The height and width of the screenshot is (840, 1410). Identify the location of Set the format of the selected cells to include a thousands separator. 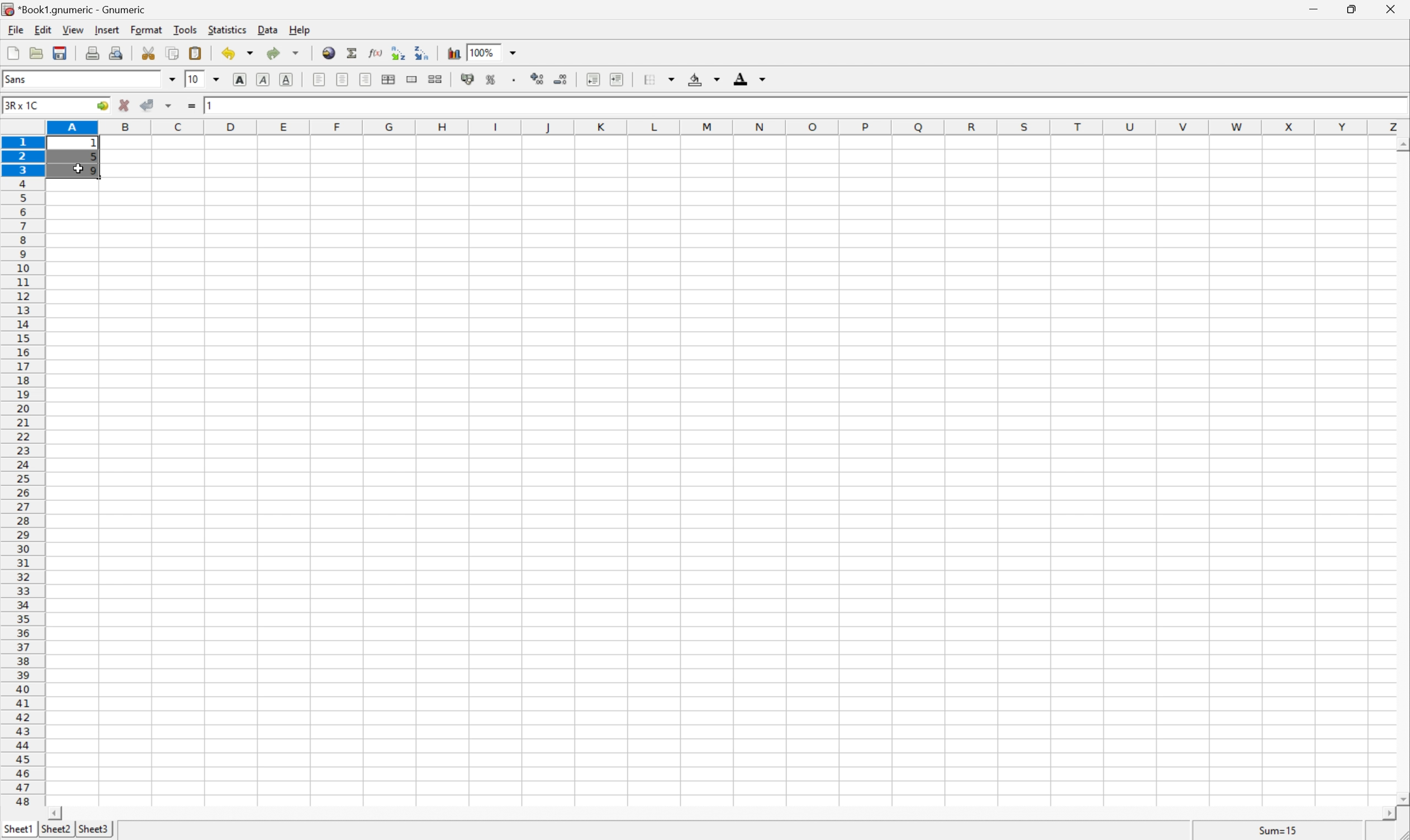
(516, 80).